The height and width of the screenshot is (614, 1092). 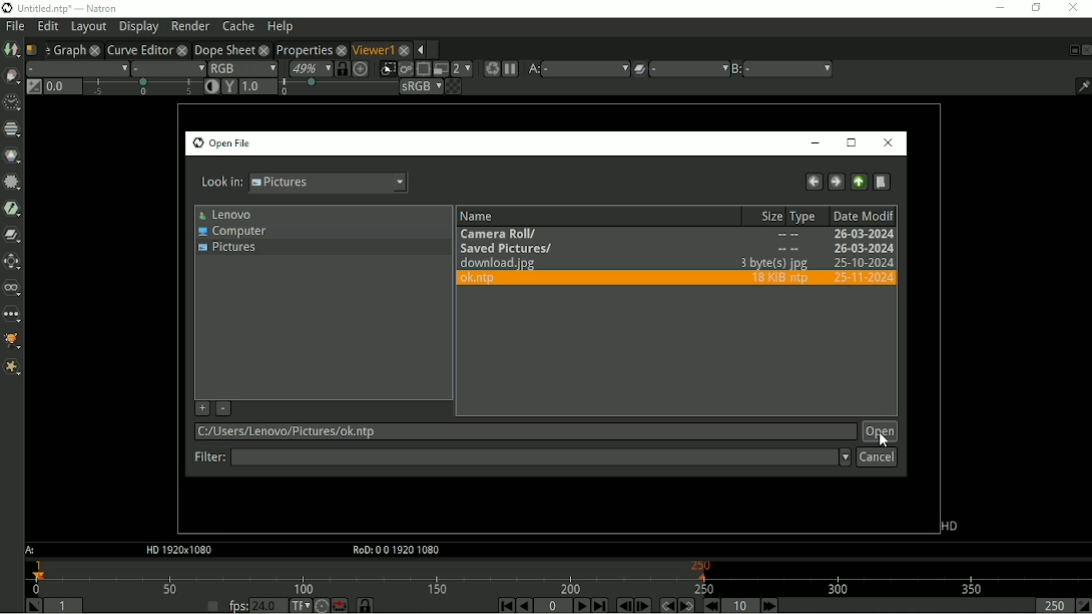 I want to click on Set playback out point, so click(x=1083, y=605).